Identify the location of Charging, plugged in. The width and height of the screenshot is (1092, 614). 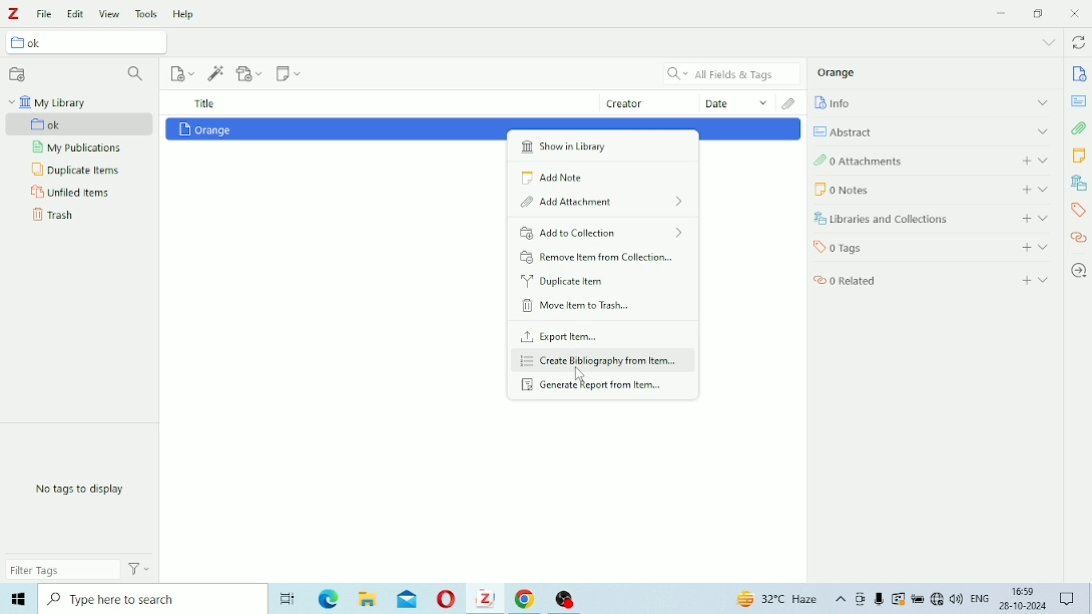
(918, 599).